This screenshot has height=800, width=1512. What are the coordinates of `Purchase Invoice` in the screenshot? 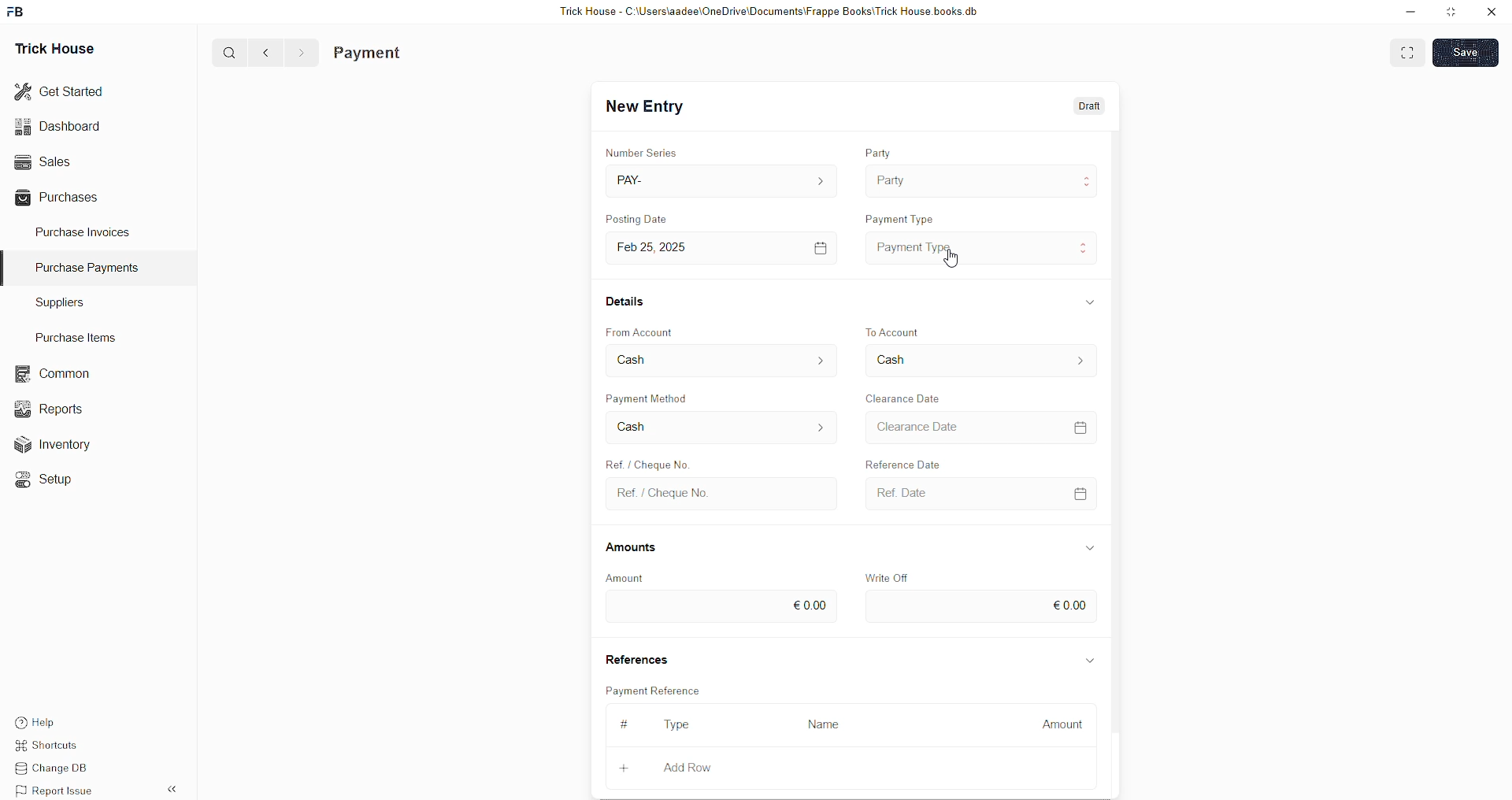 It's located at (406, 53).